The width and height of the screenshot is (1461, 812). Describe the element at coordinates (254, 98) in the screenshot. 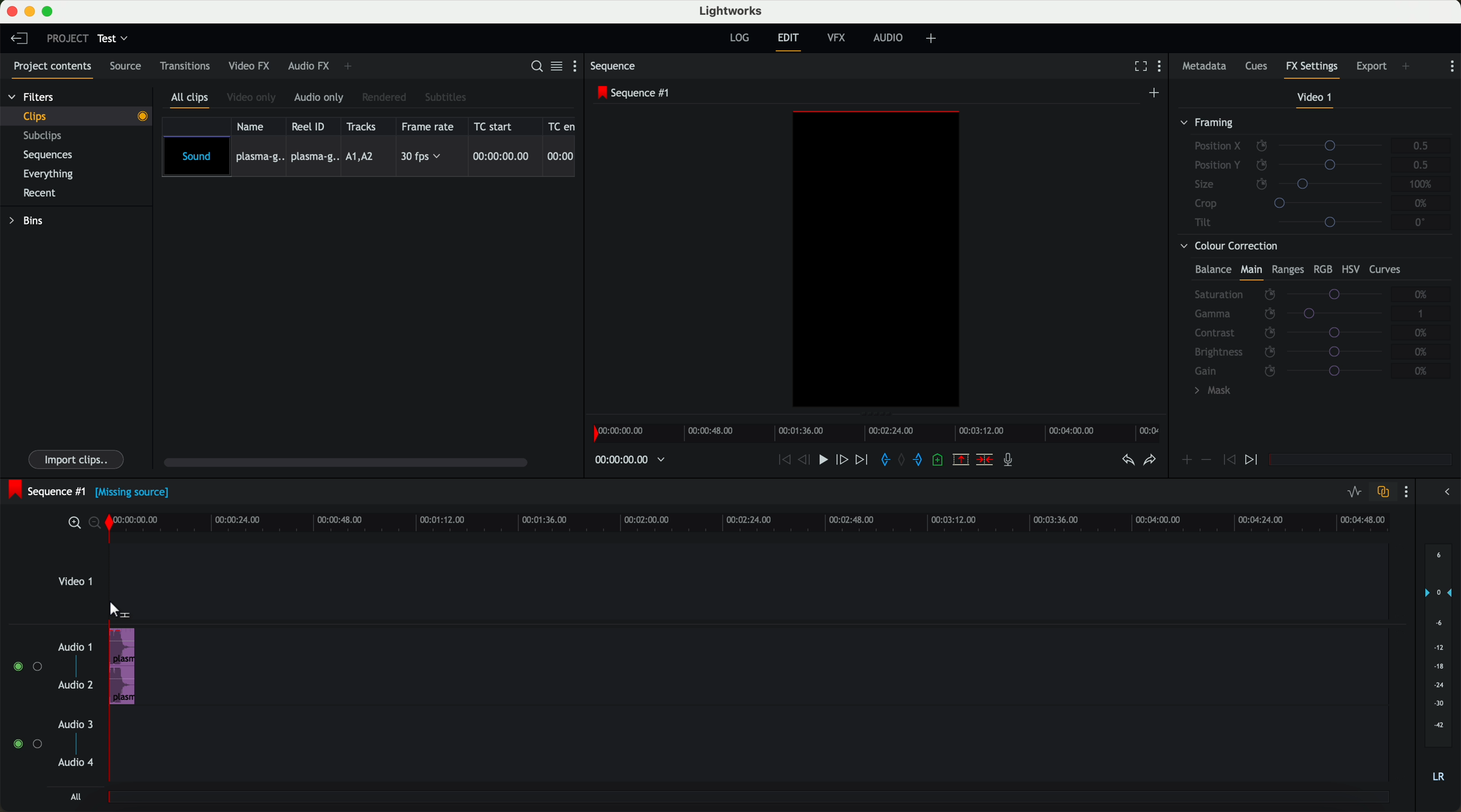

I see `video only` at that location.